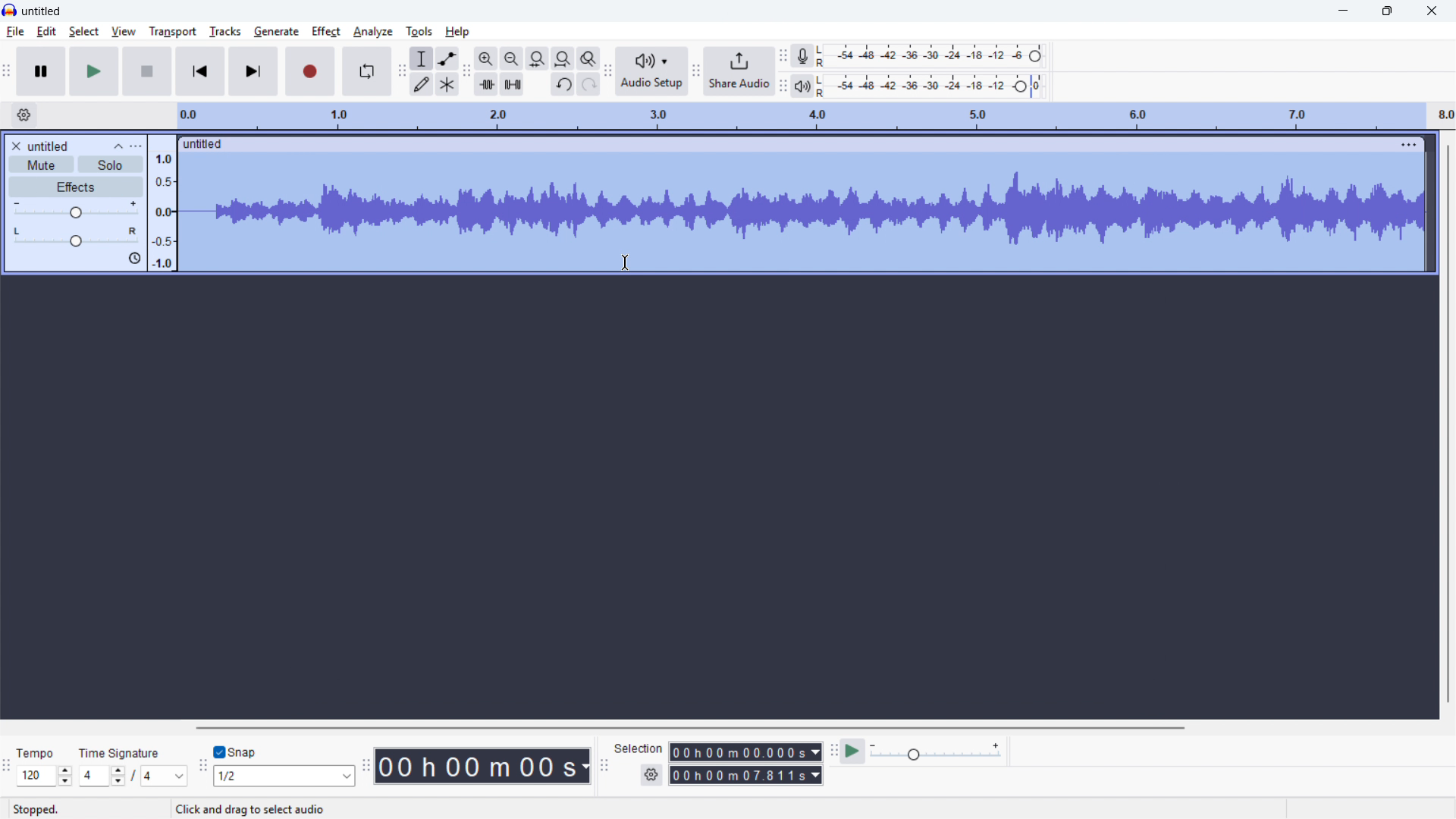 The height and width of the screenshot is (819, 1456). Describe the element at coordinates (563, 85) in the screenshot. I see `Undo ` at that location.